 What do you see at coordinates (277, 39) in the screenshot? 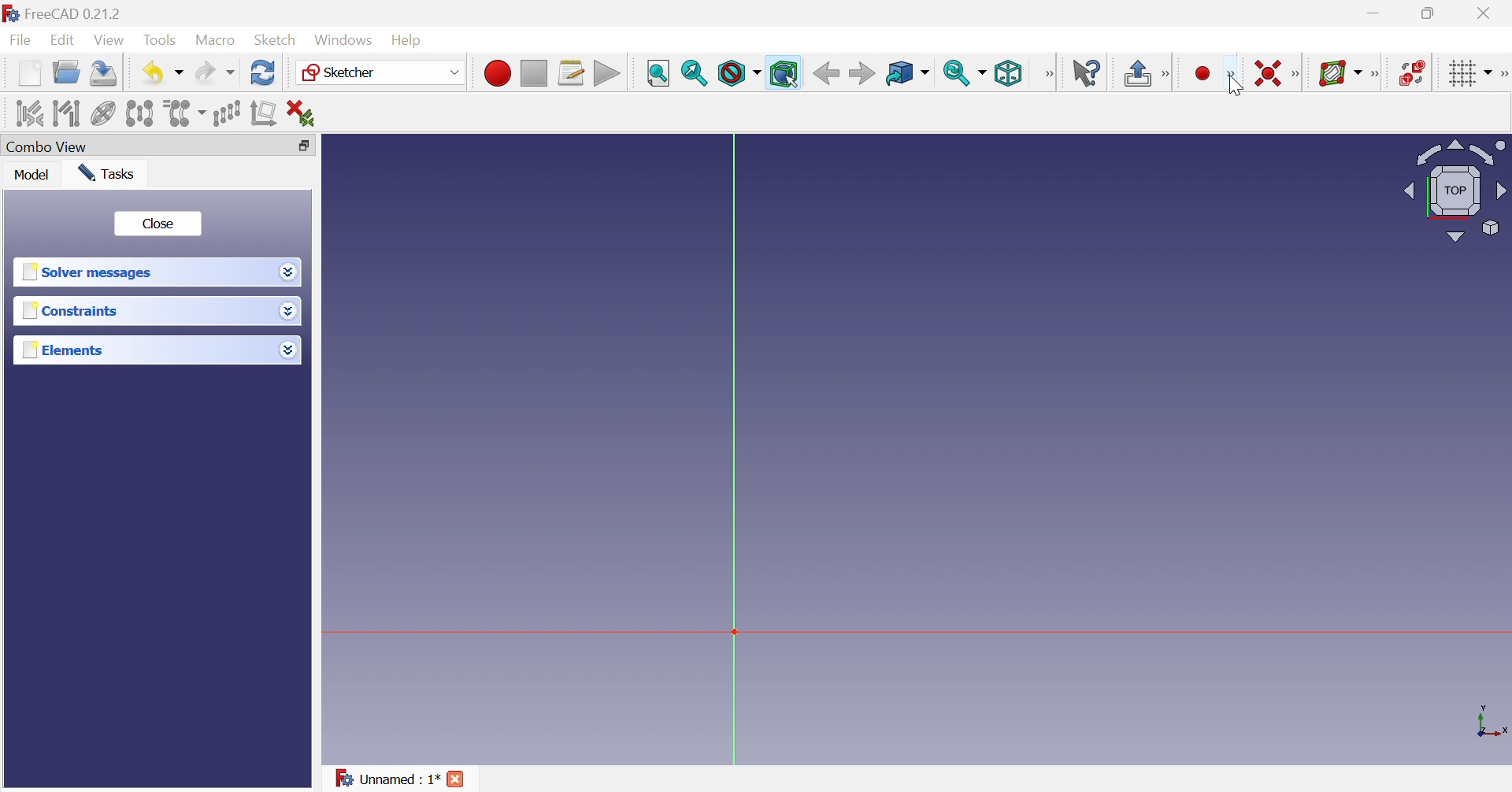
I see `Sketch` at bounding box center [277, 39].